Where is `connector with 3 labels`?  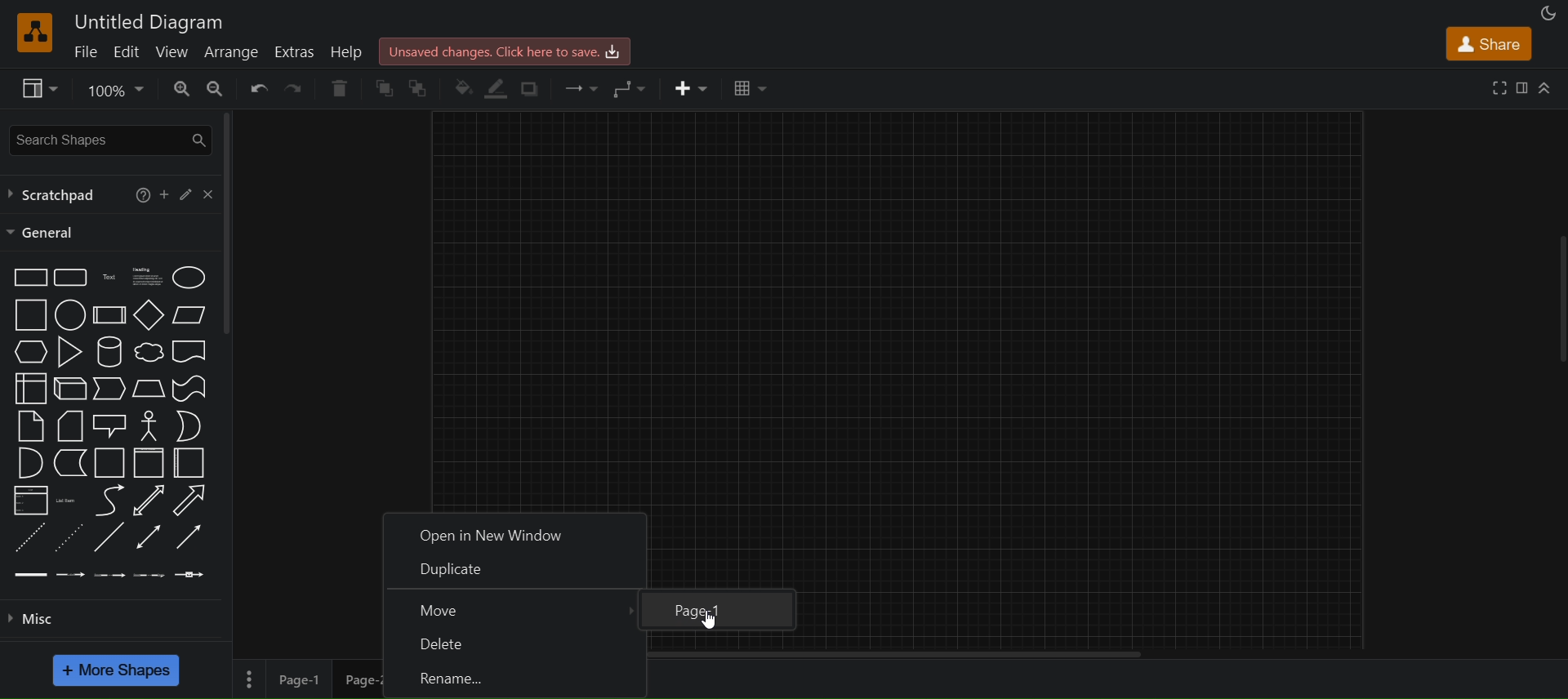 connector with 3 labels is located at coordinates (147, 574).